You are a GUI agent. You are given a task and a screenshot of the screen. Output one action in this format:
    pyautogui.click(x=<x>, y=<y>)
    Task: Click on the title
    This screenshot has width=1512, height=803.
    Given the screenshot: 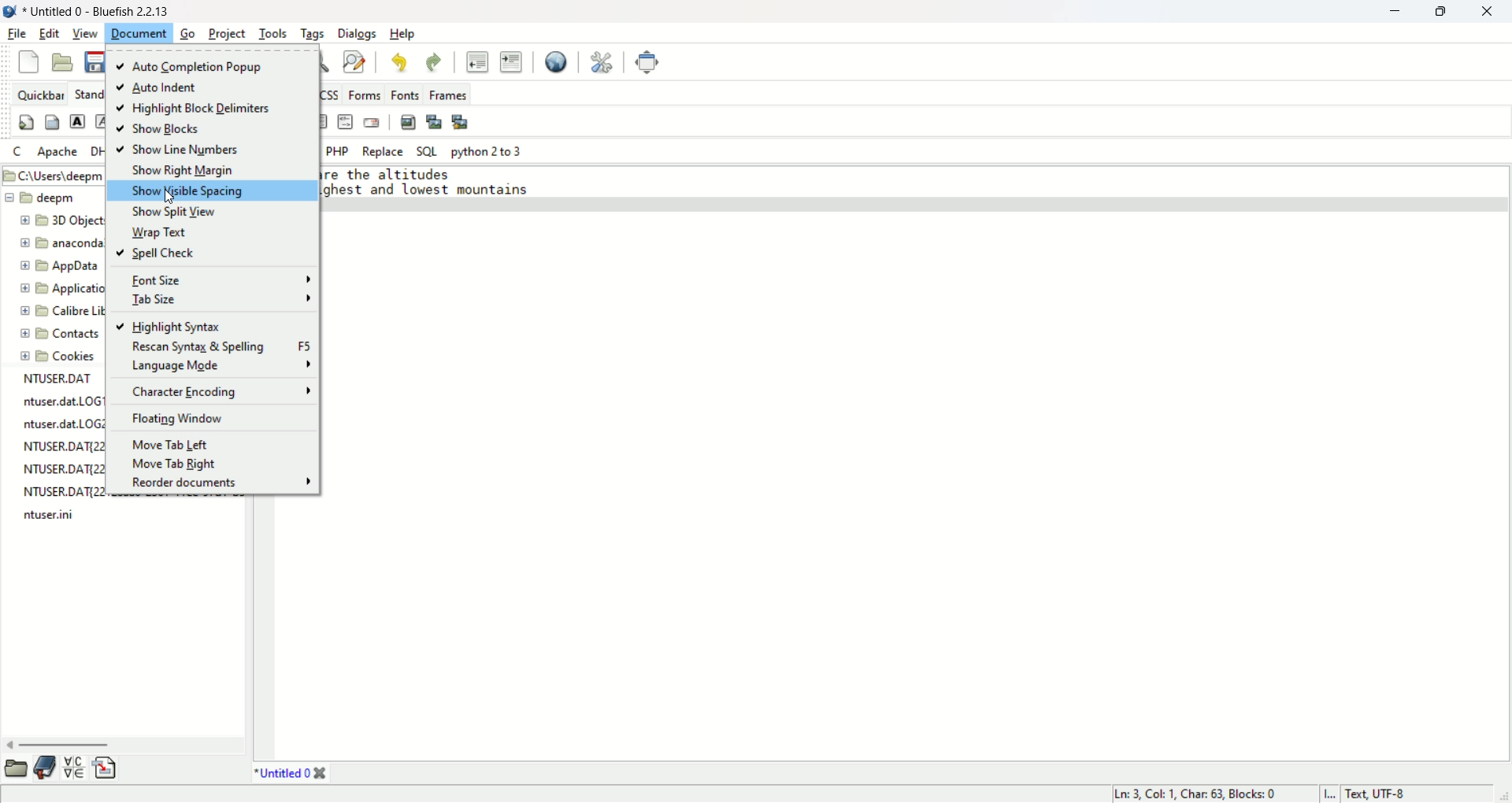 What is the action you would take?
    pyautogui.click(x=285, y=773)
    